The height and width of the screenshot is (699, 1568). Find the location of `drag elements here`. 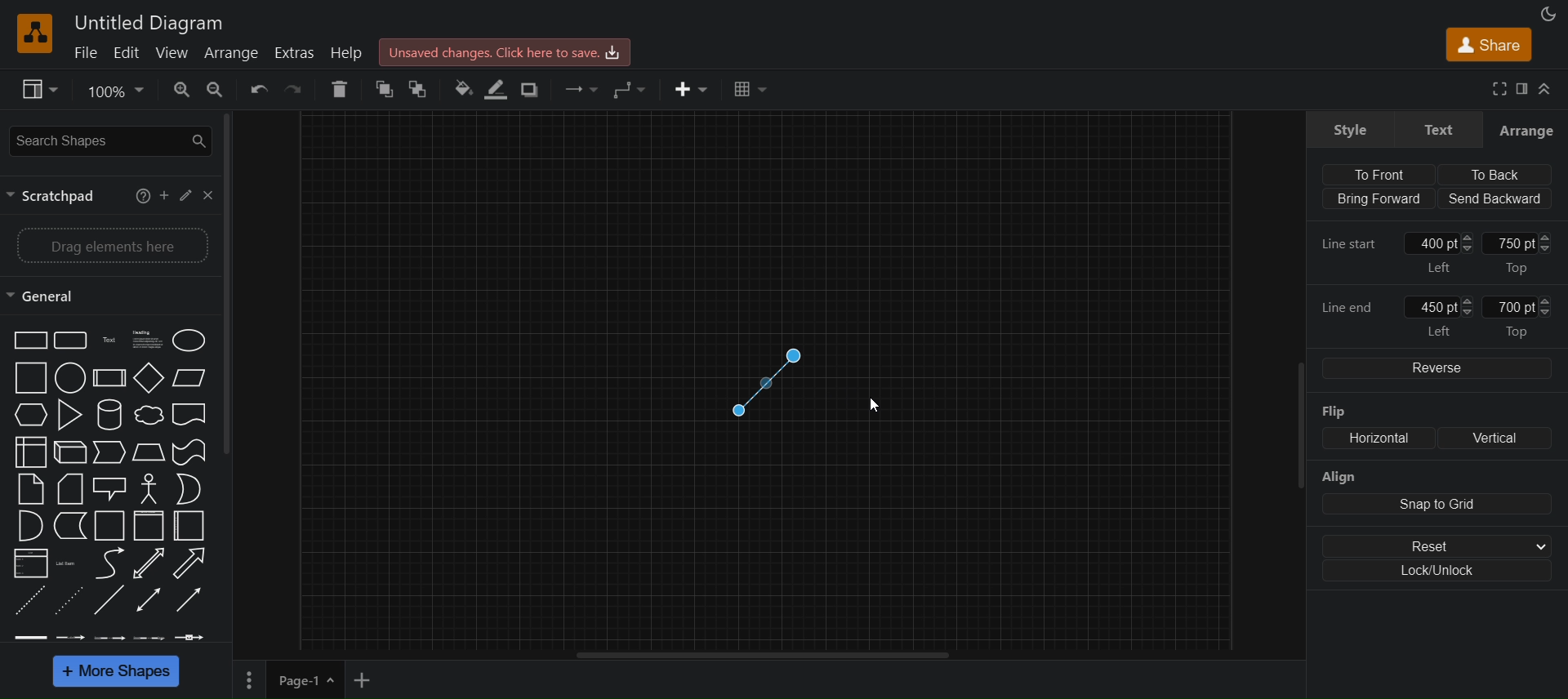

drag elements here is located at coordinates (110, 243).